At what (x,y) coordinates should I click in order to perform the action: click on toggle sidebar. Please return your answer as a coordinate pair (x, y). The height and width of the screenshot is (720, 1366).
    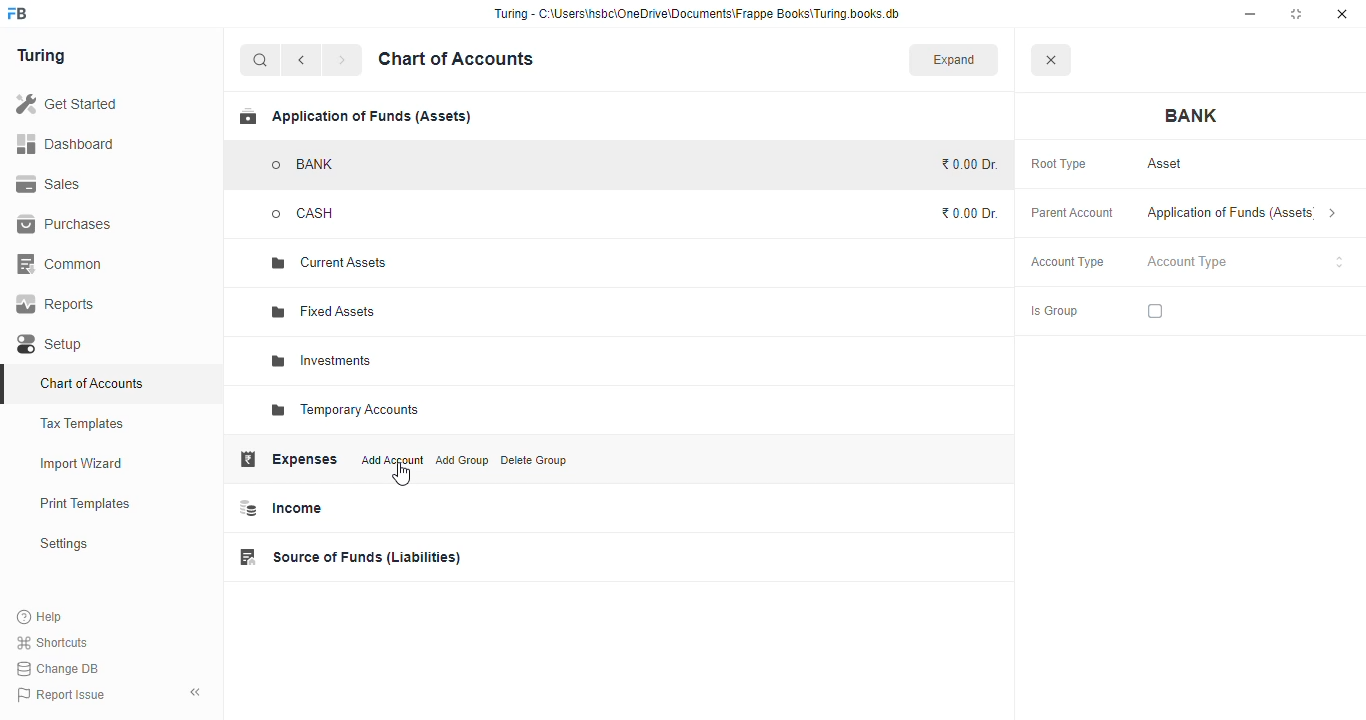
    Looking at the image, I should click on (196, 692).